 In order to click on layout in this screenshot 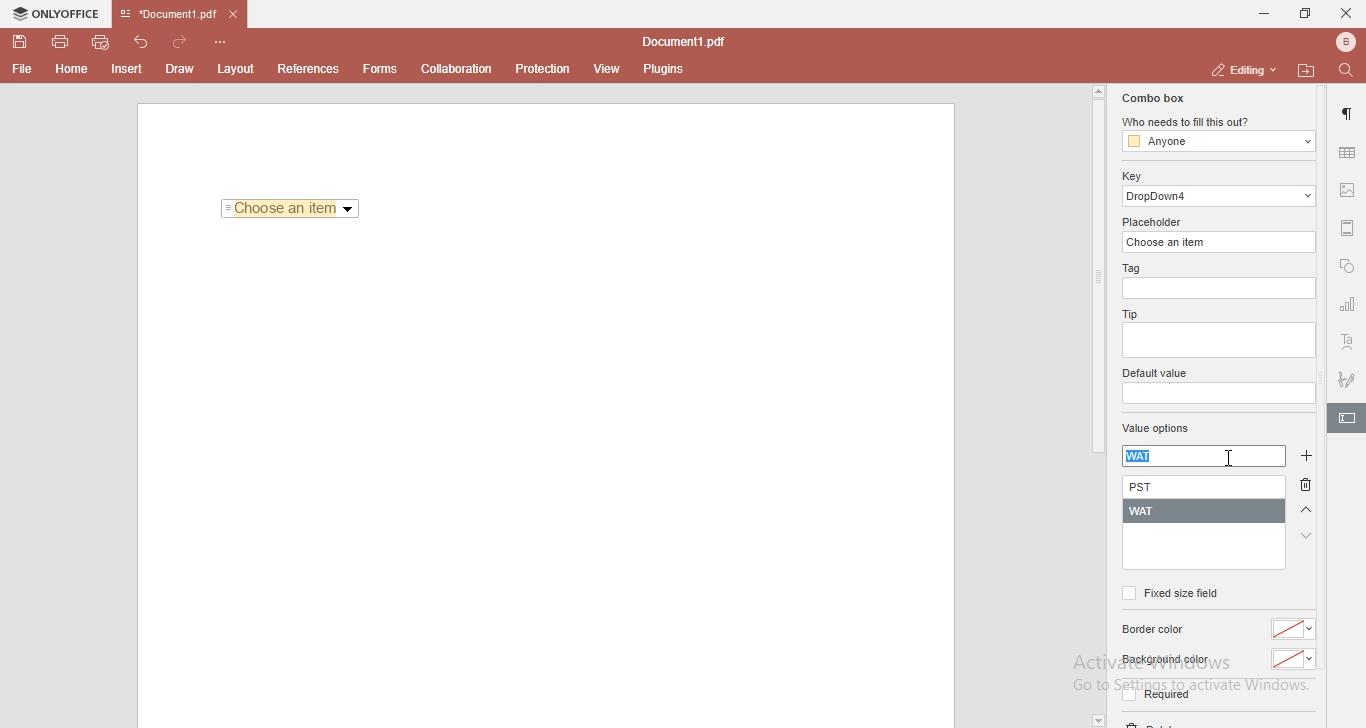, I will do `click(239, 69)`.